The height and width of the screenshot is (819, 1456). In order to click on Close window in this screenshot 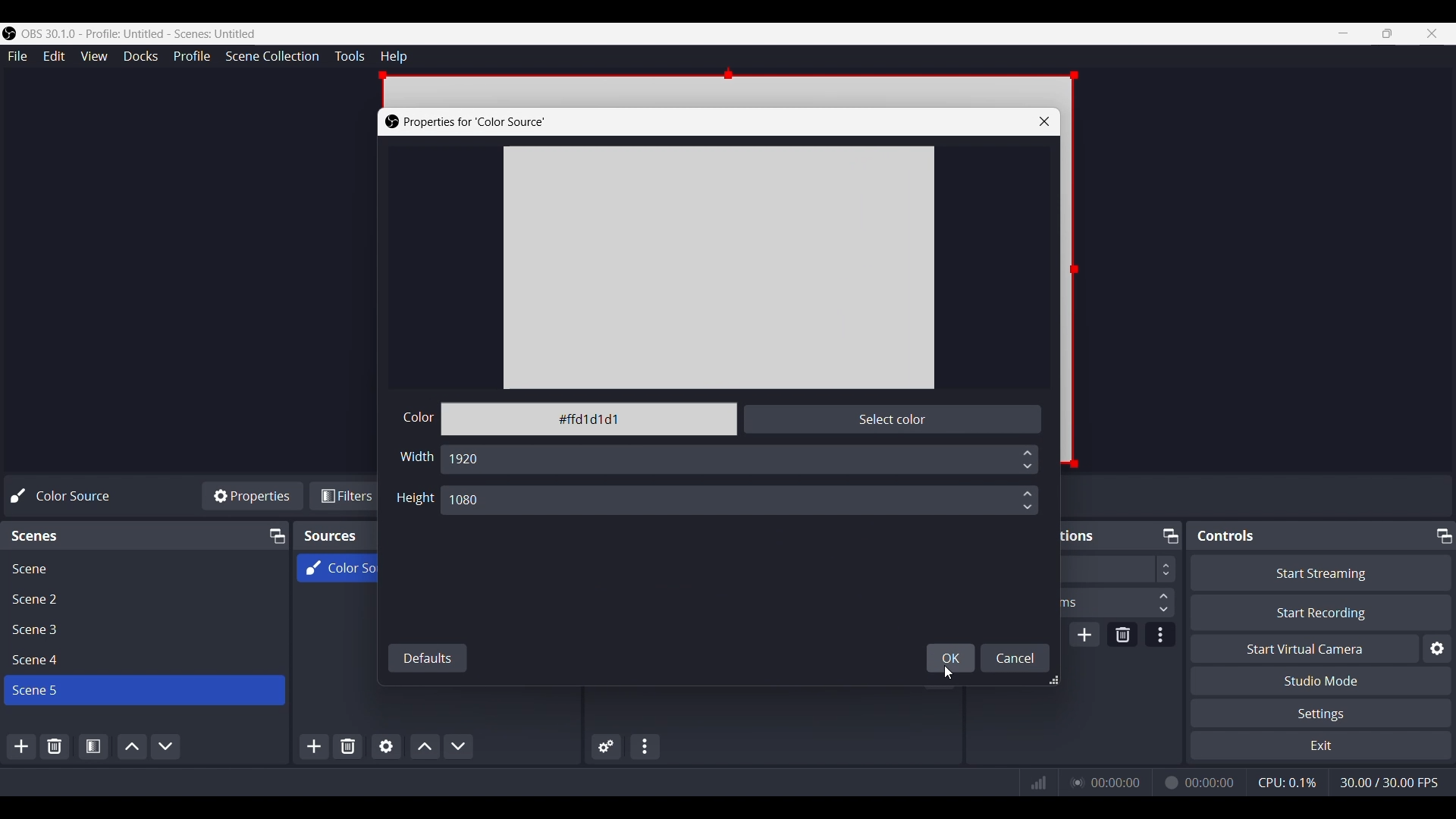, I will do `click(1043, 121)`.